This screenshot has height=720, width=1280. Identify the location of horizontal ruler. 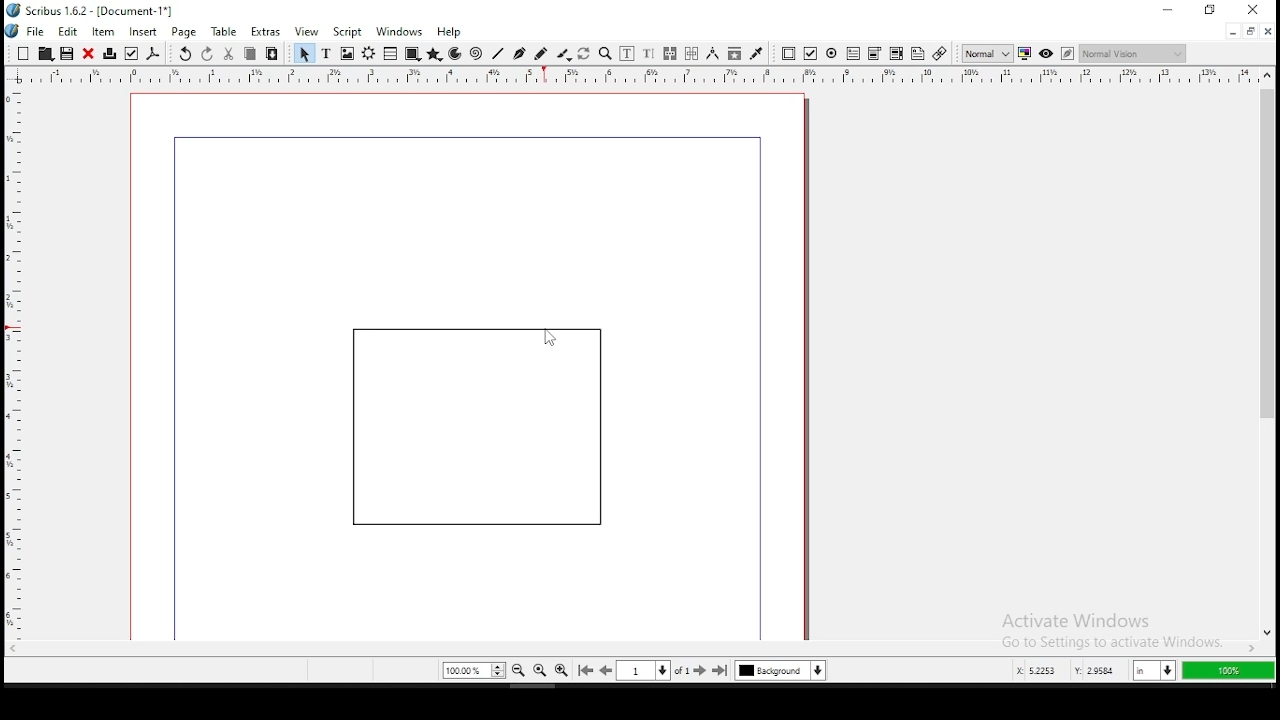
(14, 351).